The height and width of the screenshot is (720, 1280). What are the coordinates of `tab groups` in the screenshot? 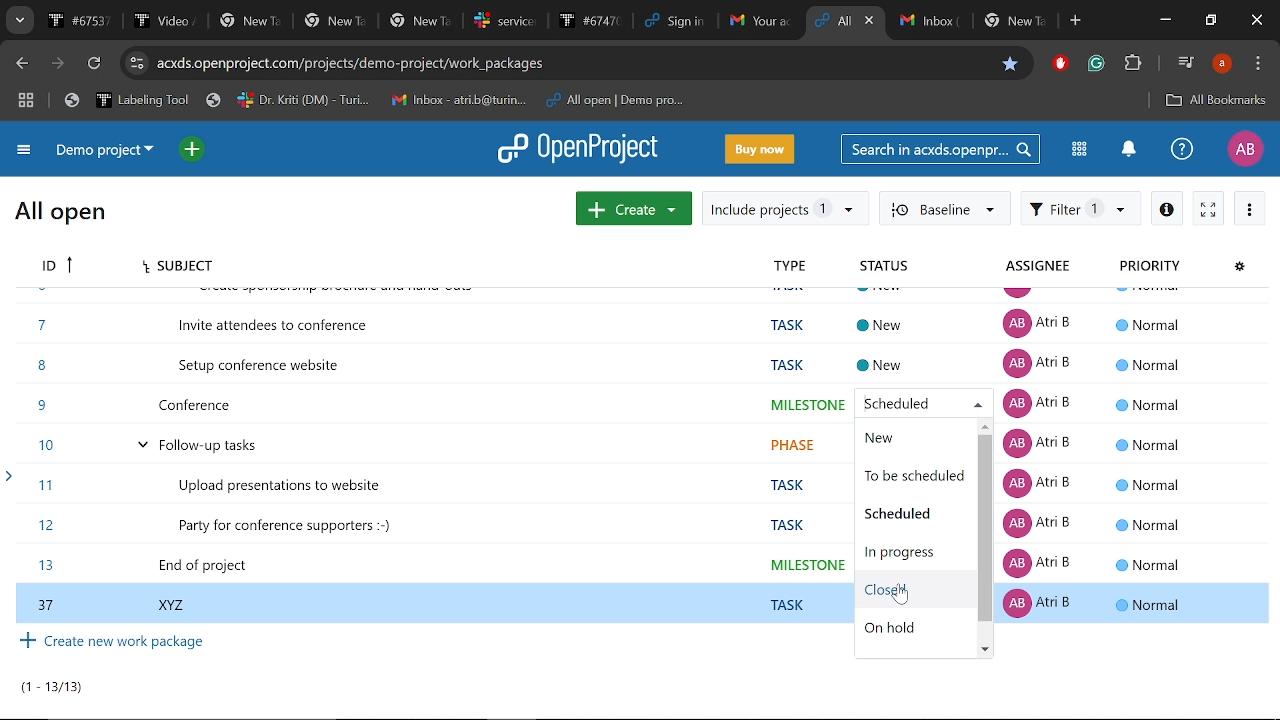 It's located at (24, 100).